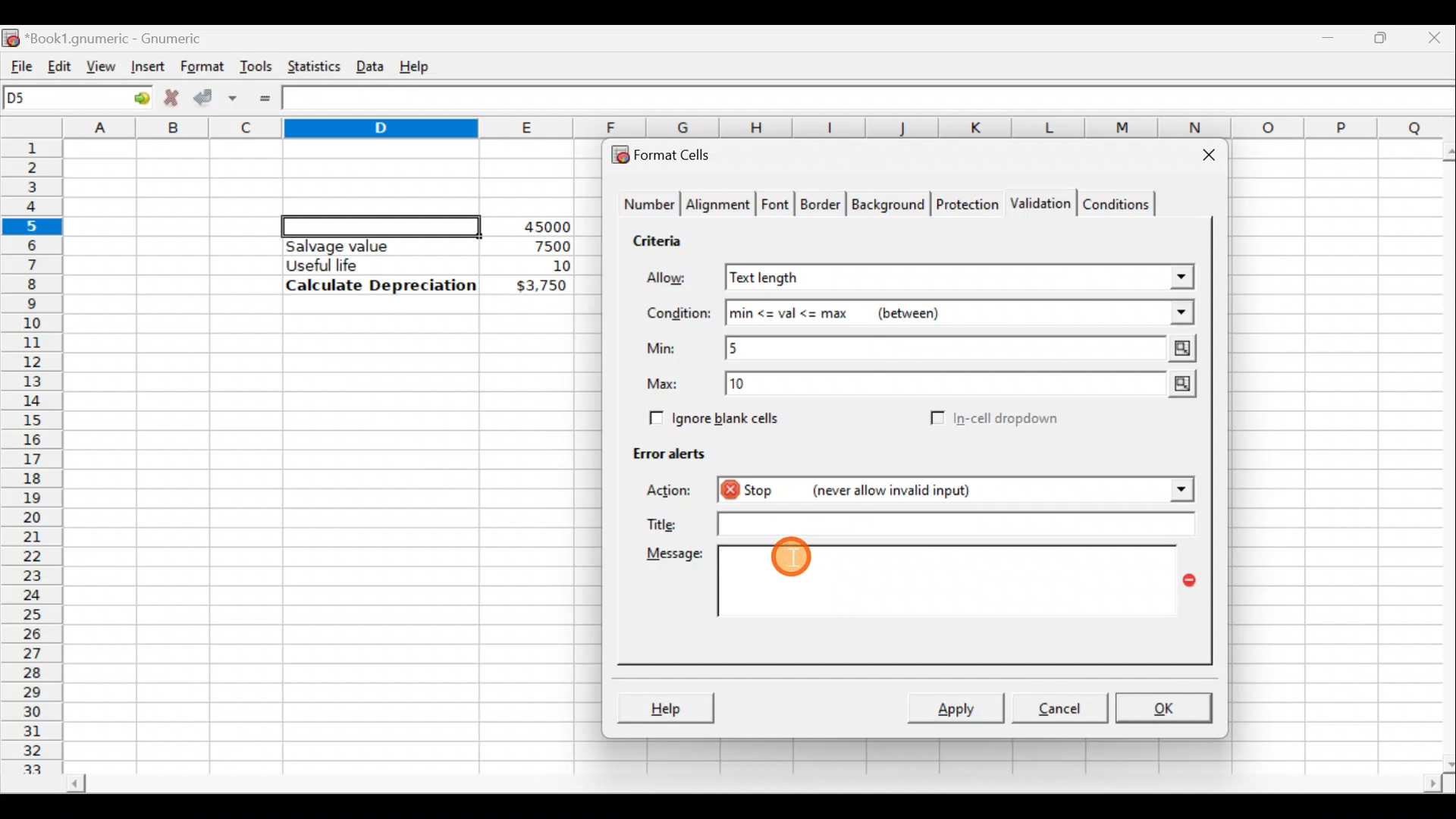 The image size is (1456, 819). What do you see at coordinates (1169, 490) in the screenshot?
I see `Action drop down` at bounding box center [1169, 490].